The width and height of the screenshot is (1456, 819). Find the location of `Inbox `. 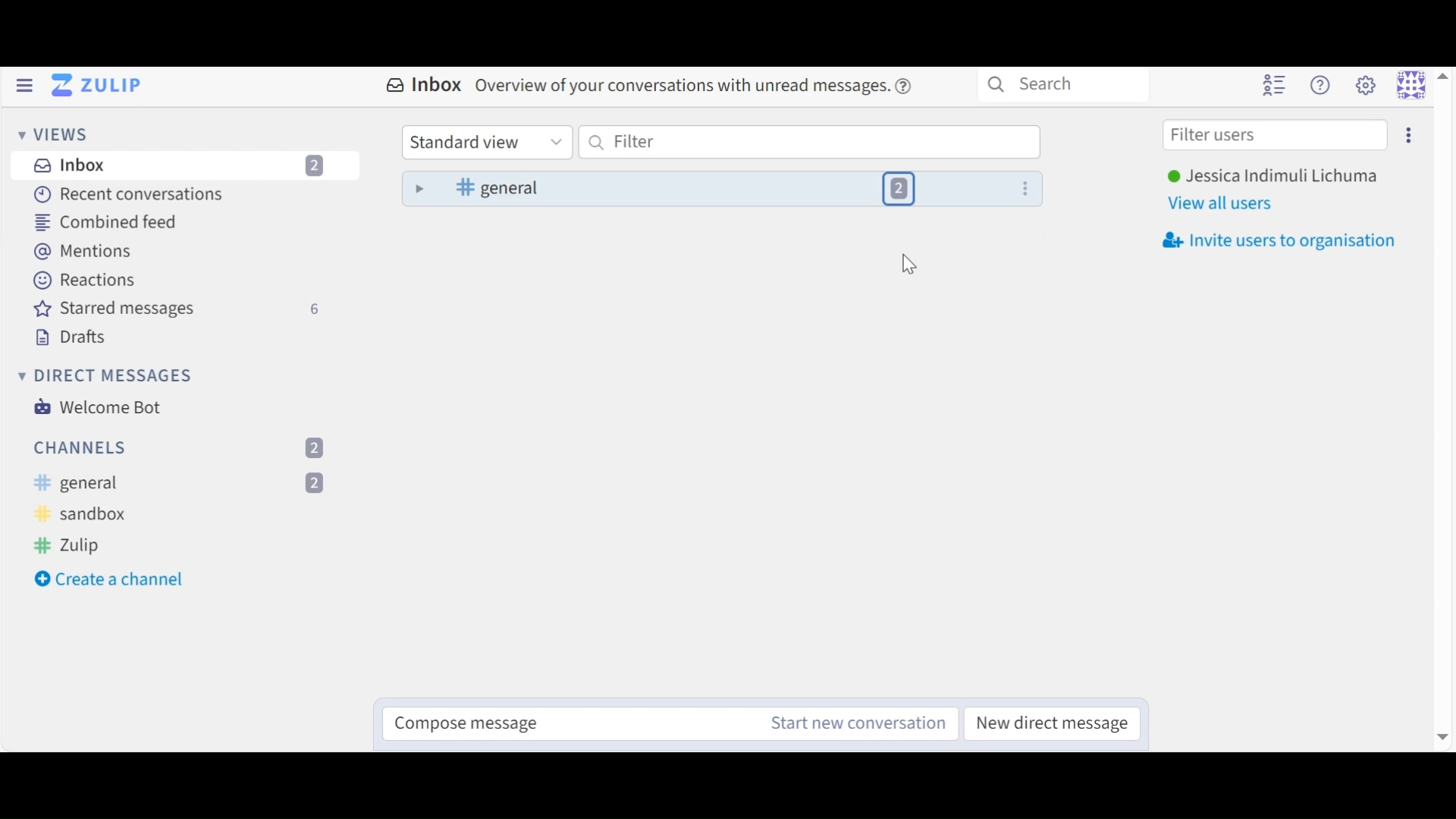

Inbox  is located at coordinates (184, 166).